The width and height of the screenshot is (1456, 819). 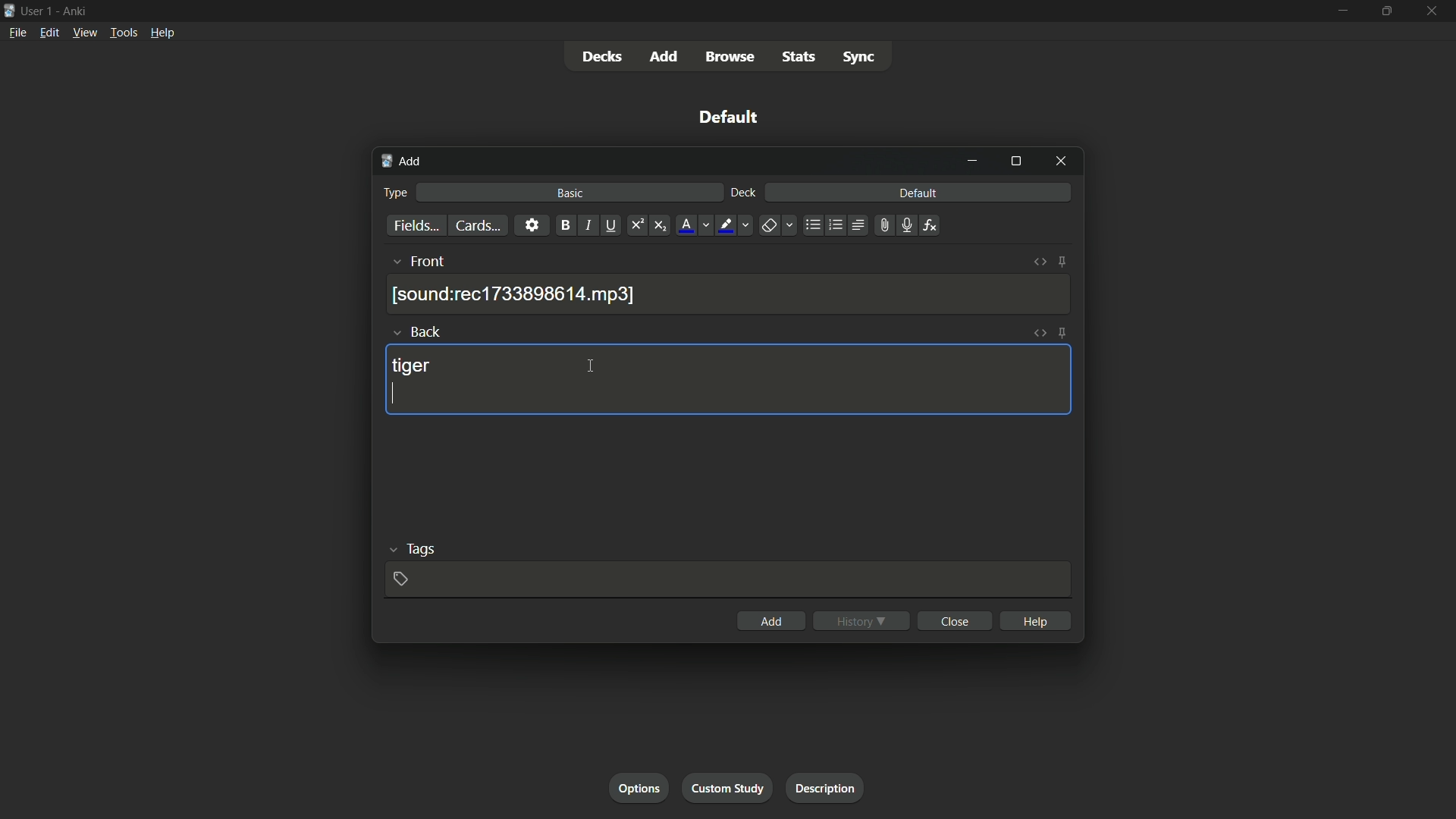 What do you see at coordinates (918, 193) in the screenshot?
I see `default` at bounding box center [918, 193].